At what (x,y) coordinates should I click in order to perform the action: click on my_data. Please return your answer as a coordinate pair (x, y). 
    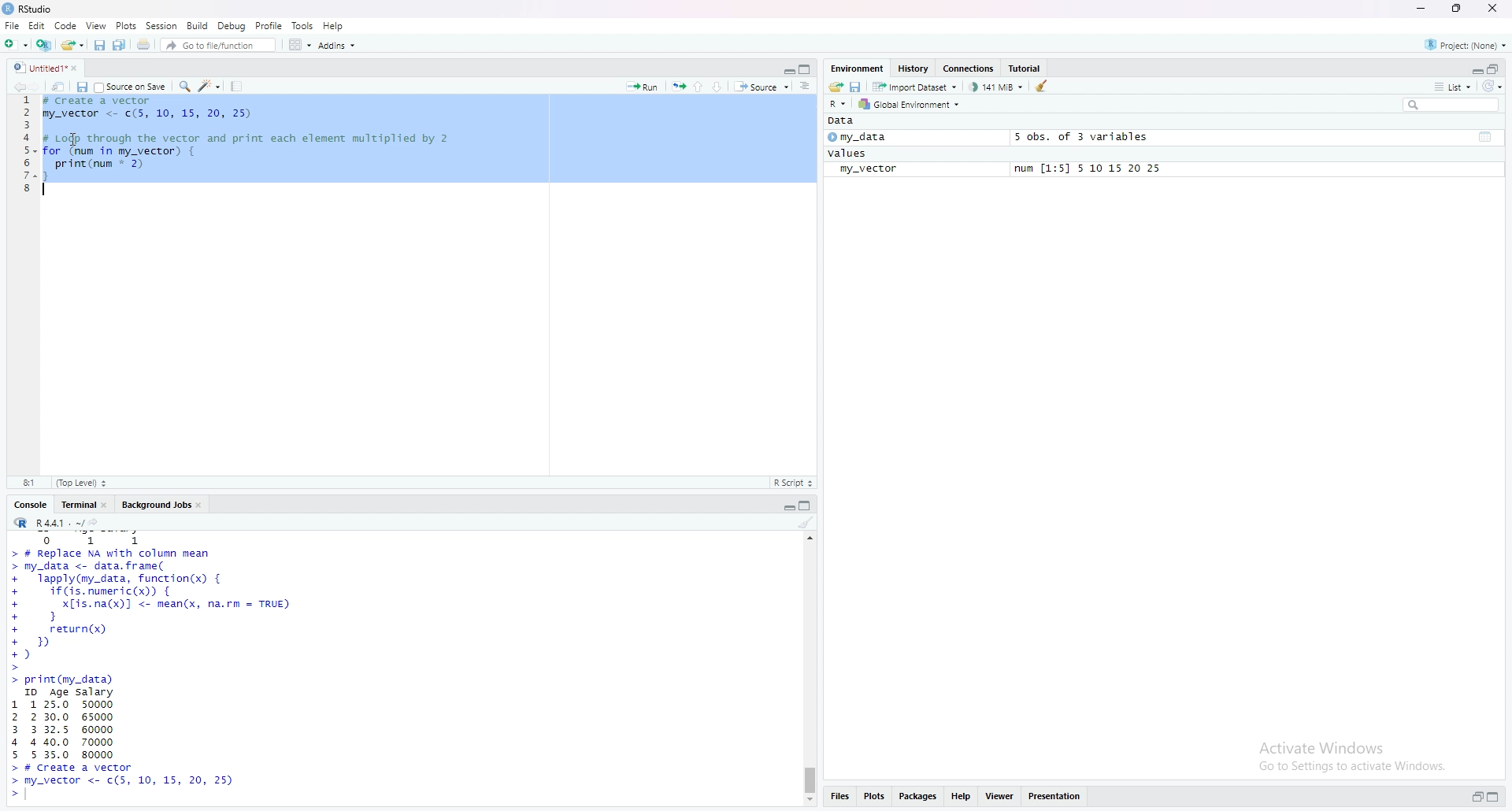
    Looking at the image, I should click on (861, 137).